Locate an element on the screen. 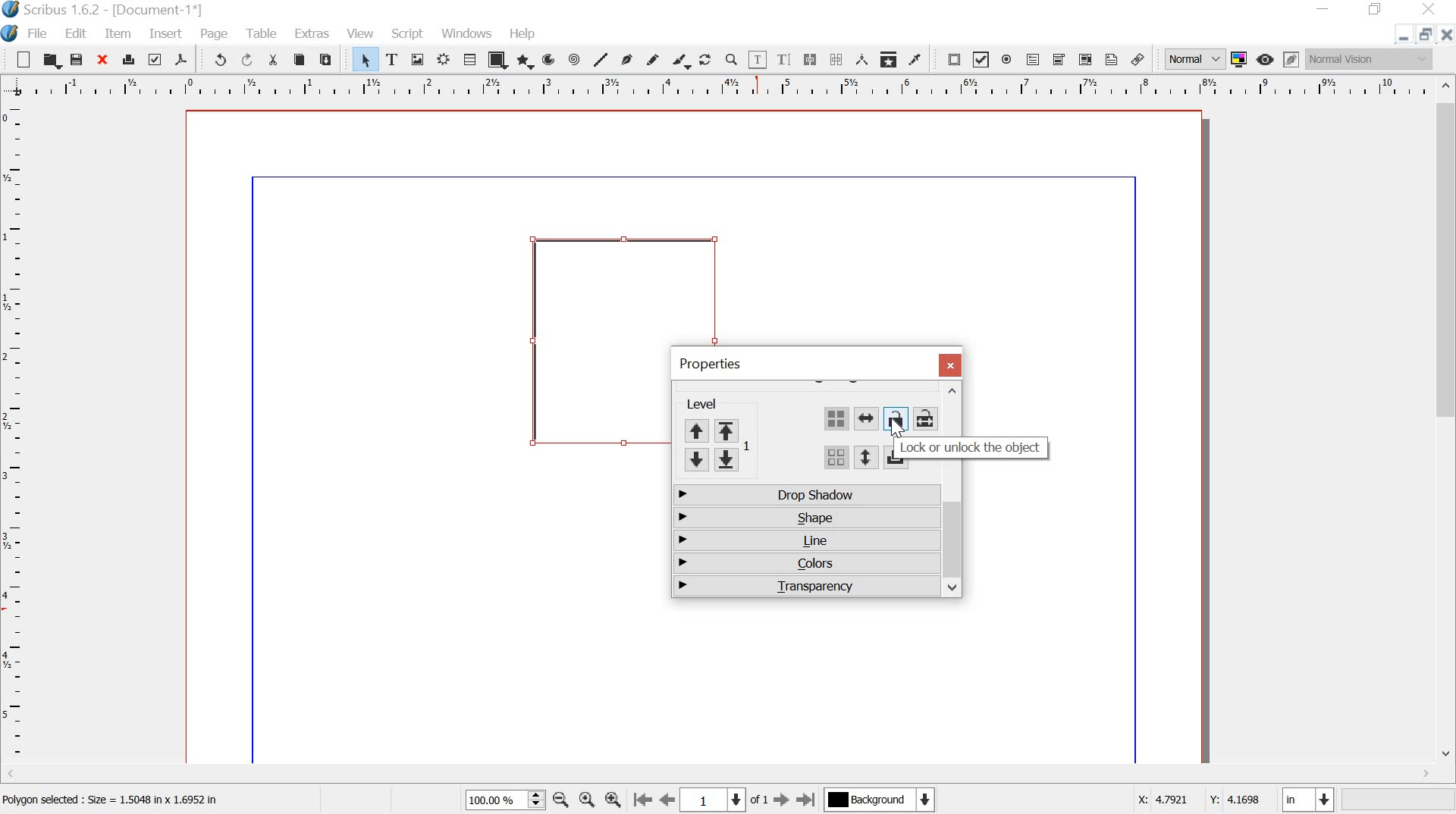  insert is located at coordinates (166, 34).